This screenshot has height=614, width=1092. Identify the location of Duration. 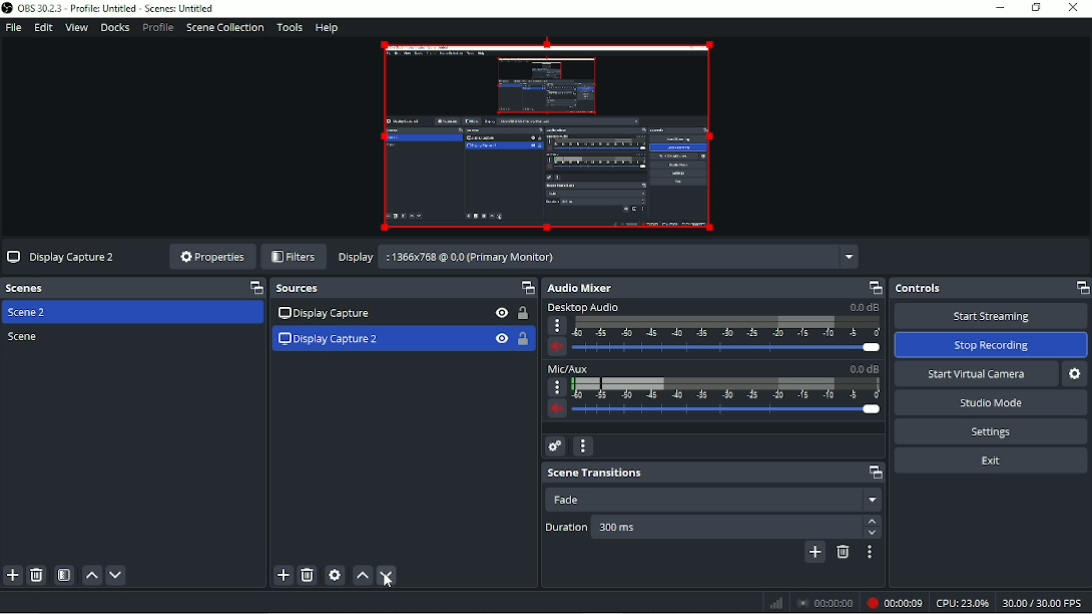
(567, 527).